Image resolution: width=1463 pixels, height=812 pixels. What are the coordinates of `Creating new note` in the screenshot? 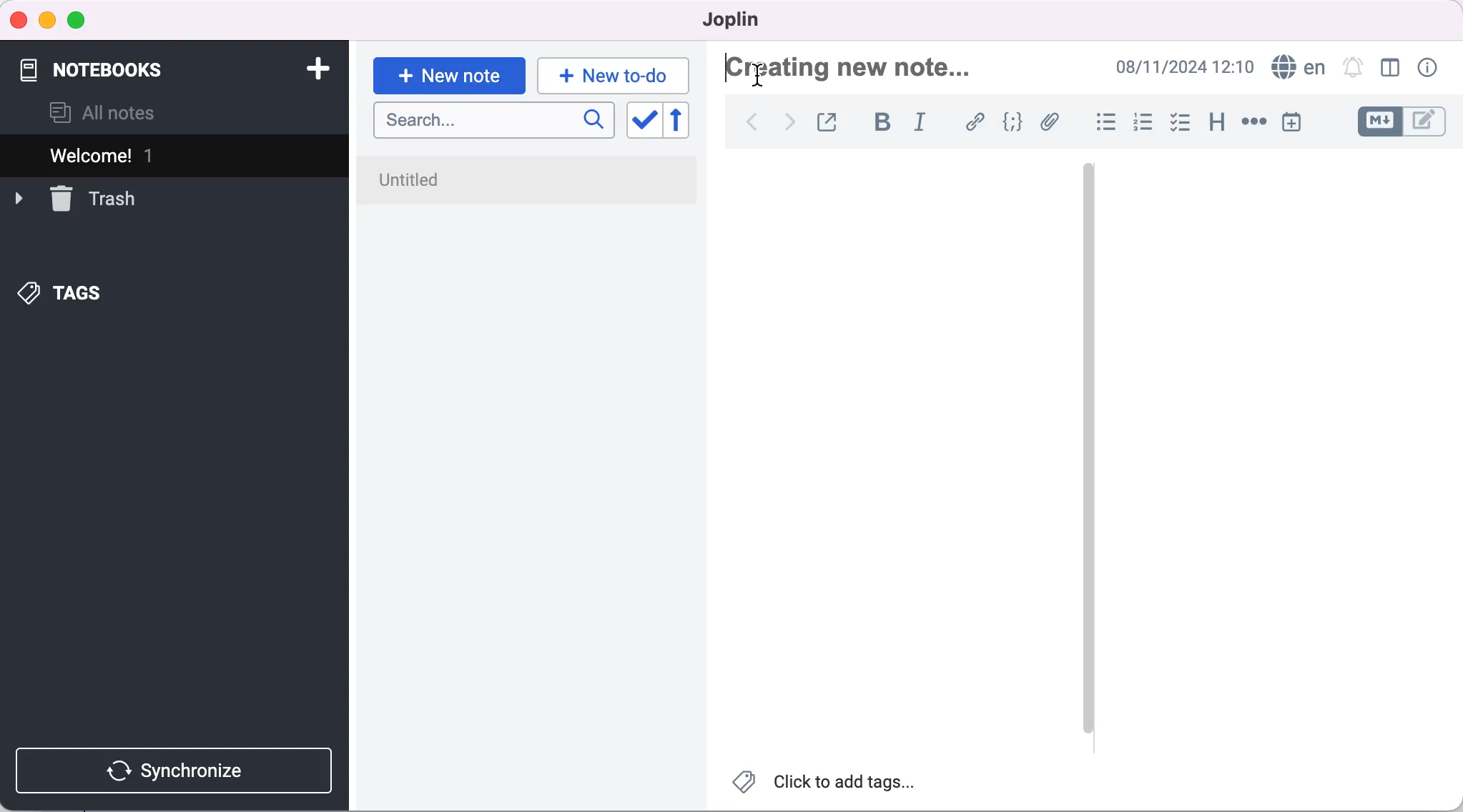 It's located at (896, 69).